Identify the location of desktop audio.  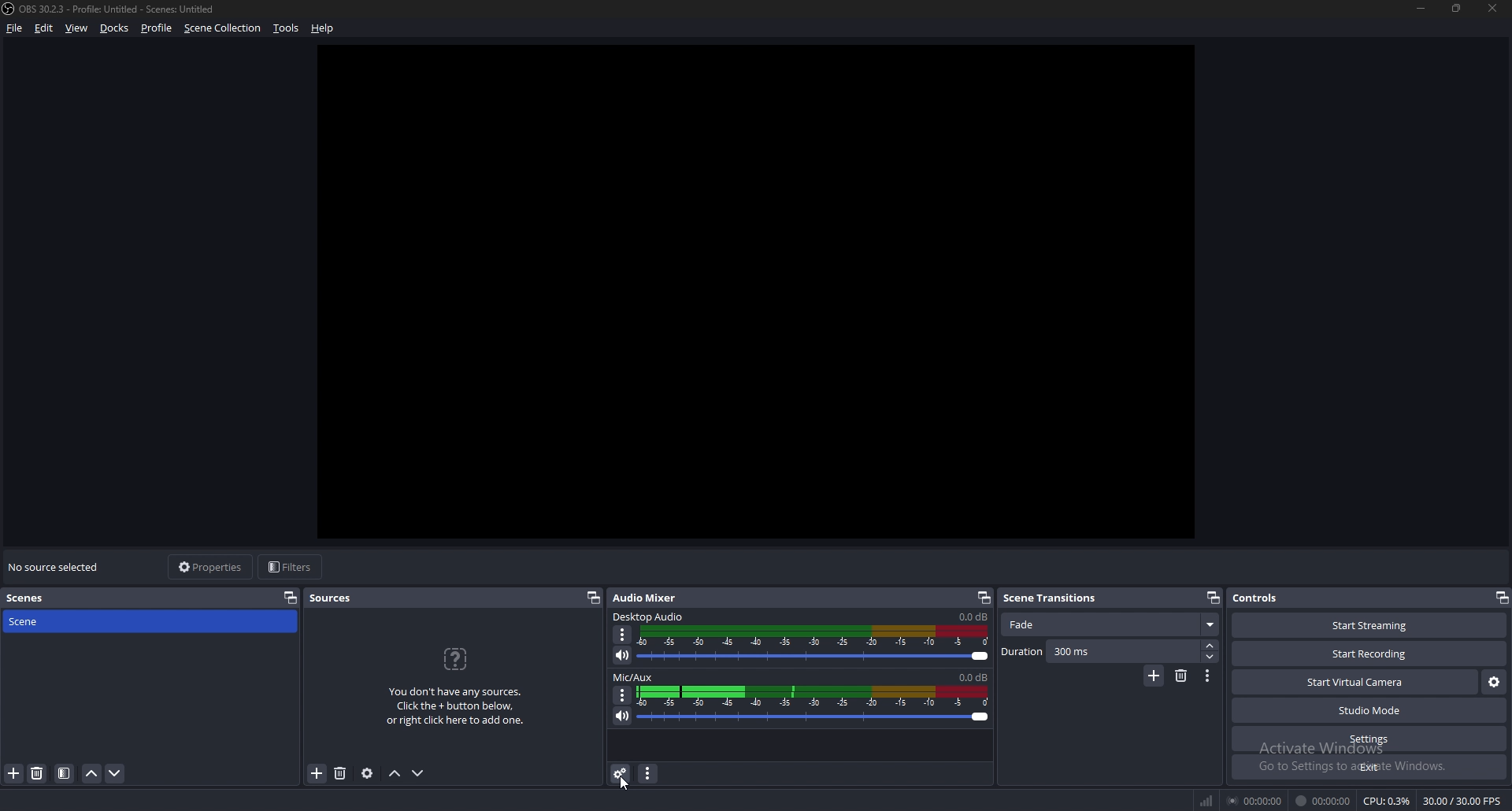
(650, 617).